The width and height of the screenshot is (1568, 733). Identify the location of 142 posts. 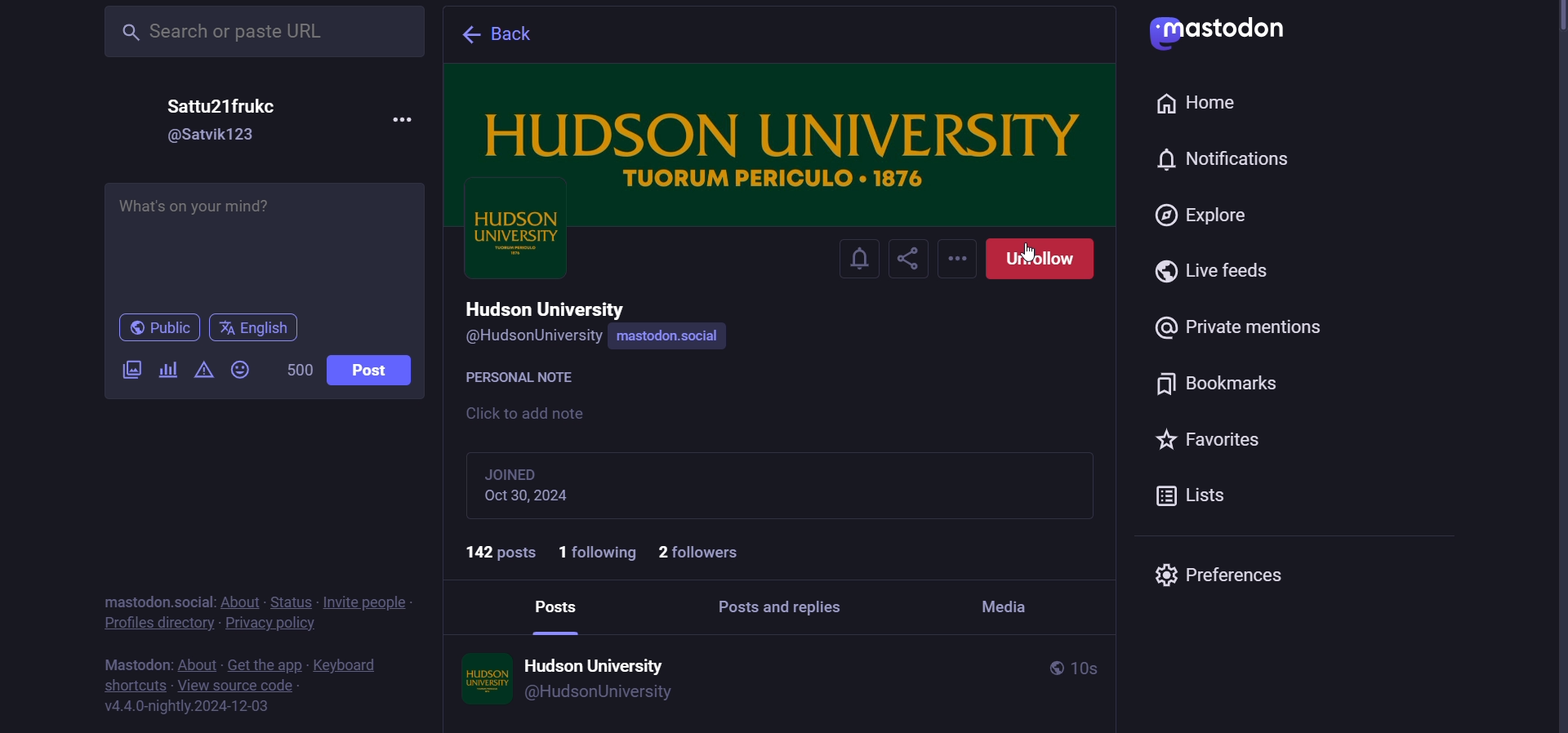
(493, 551).